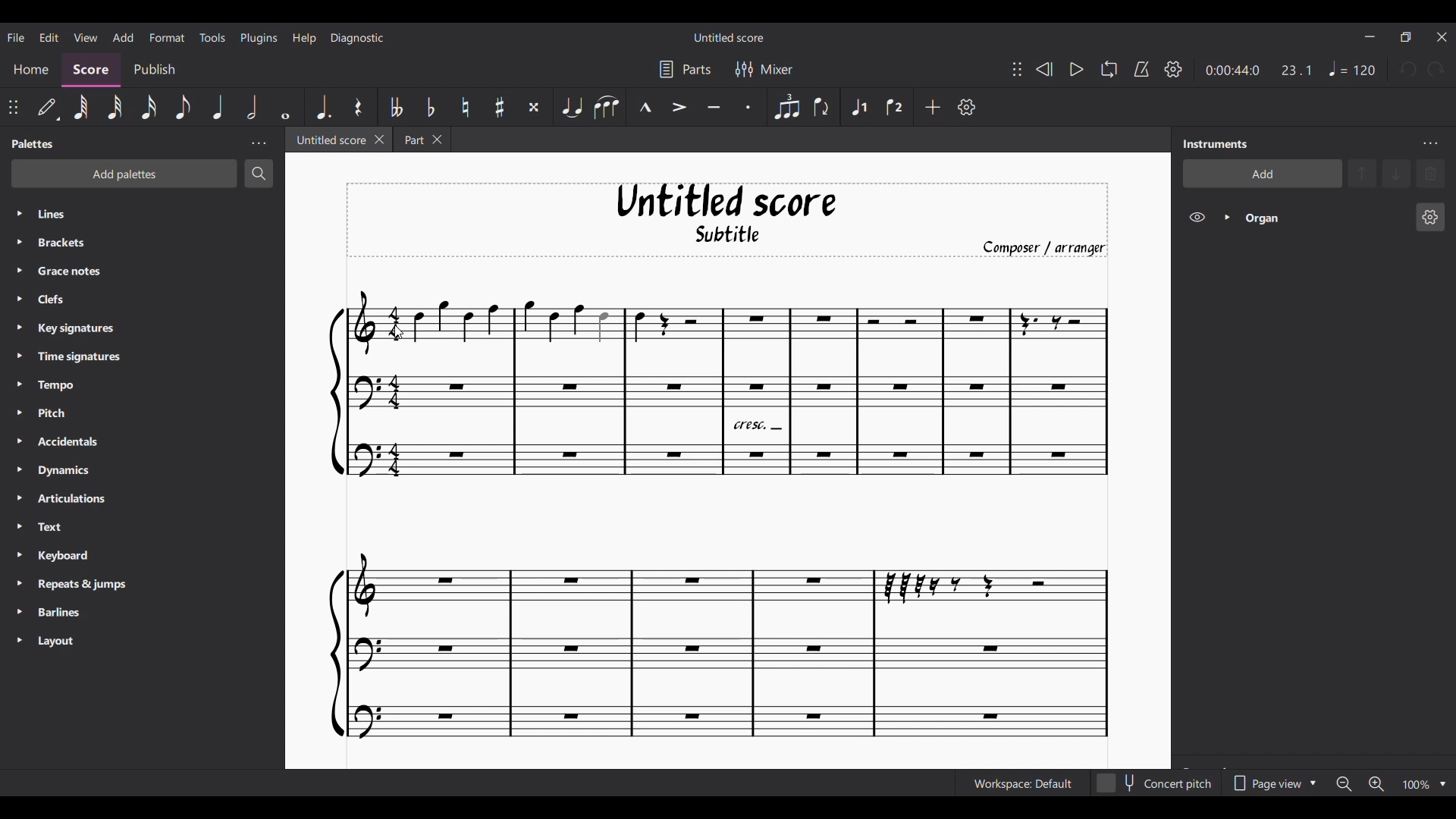  Describe the element at coordinates (80, 108) in the screenshot. I see `64th note` at that location.